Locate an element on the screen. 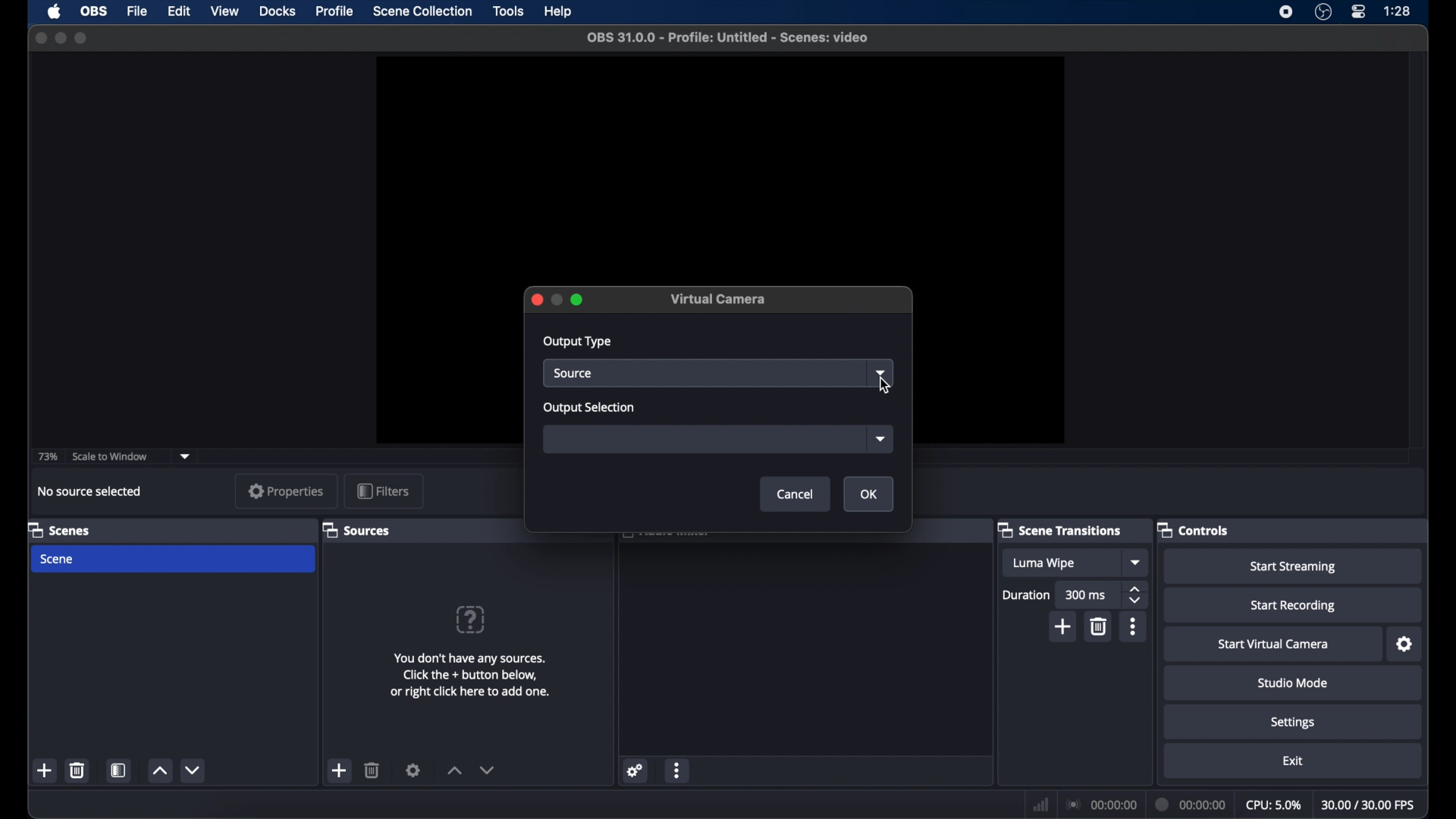  maximize is located at coordinates (83, 38).